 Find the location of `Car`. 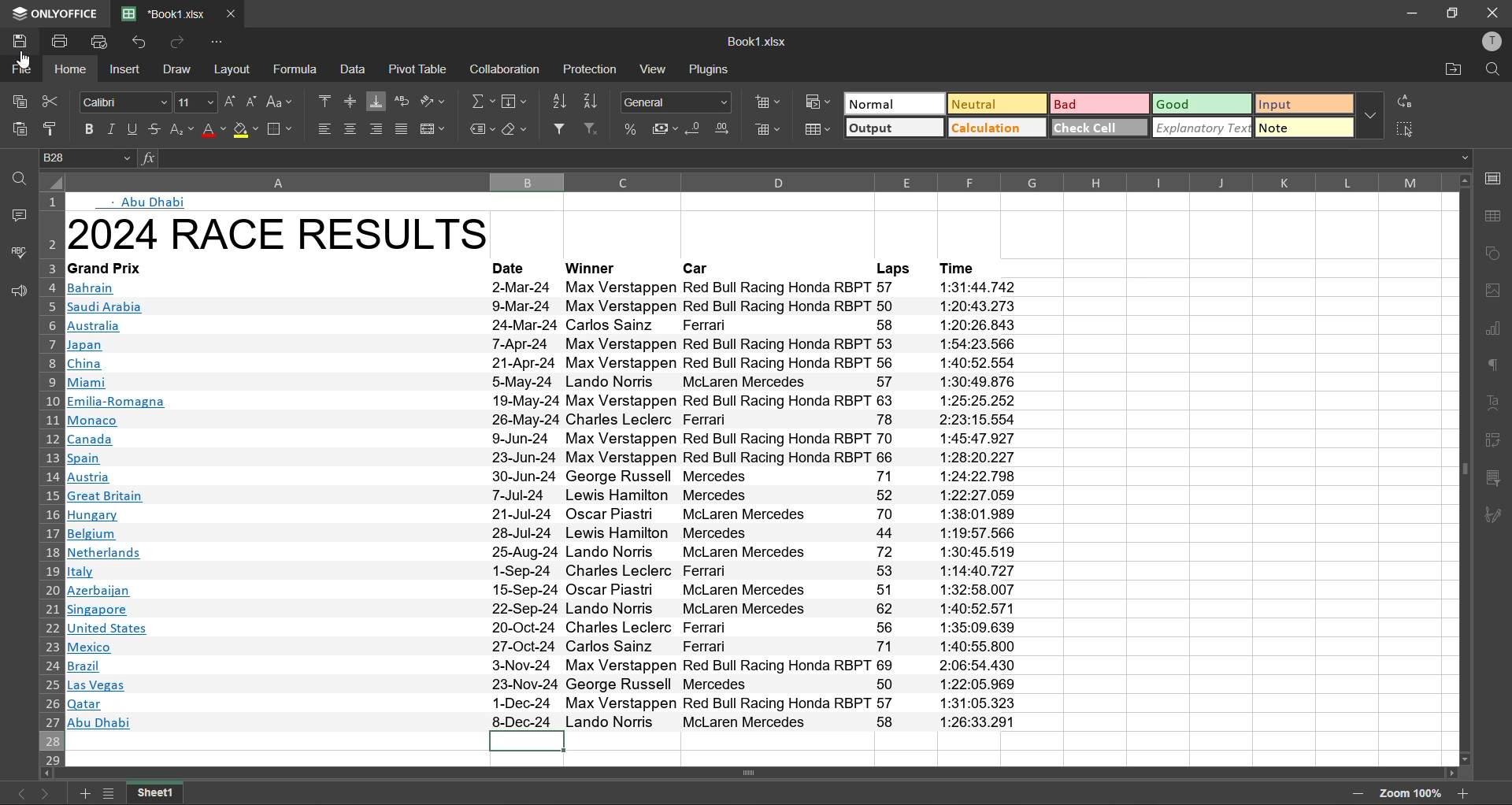

Car is located at coordinates (695, 268).